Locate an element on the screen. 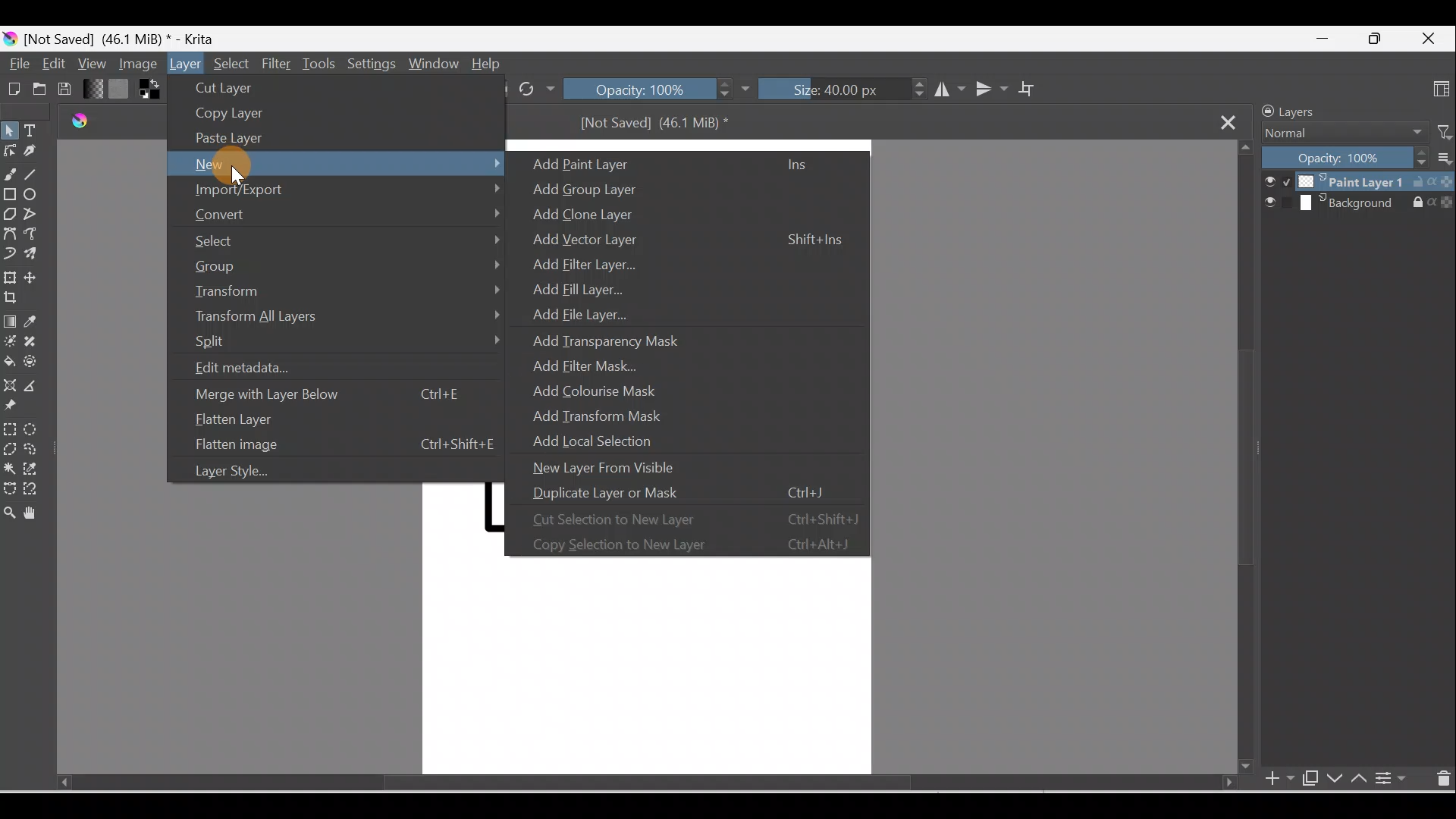 This screenshot has height=819, width=1456. Window is located at coordinates (433, 63).